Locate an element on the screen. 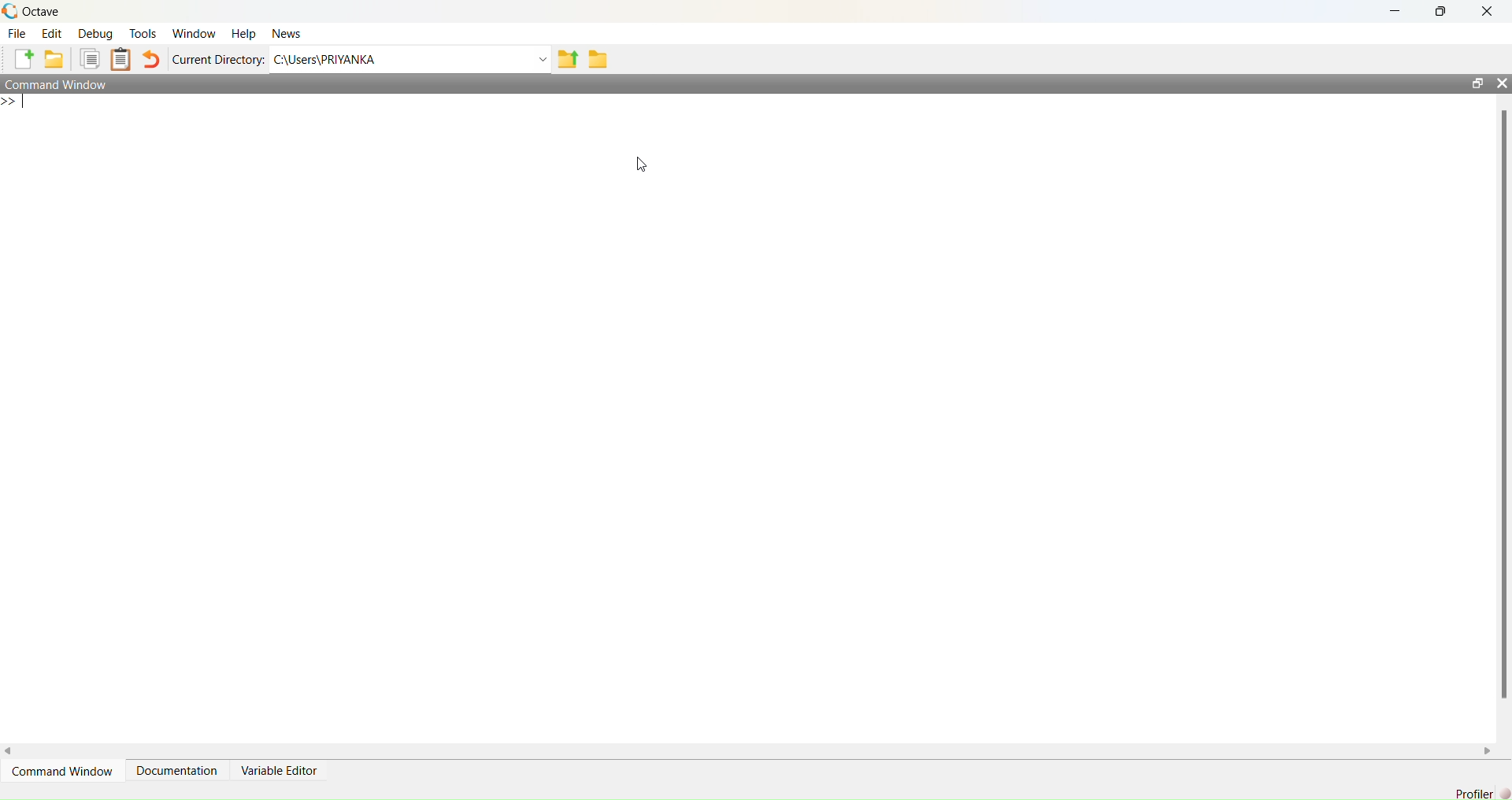 The width and height of the screenshot is (1512, 800). close is located at coordinates (1488, 11).